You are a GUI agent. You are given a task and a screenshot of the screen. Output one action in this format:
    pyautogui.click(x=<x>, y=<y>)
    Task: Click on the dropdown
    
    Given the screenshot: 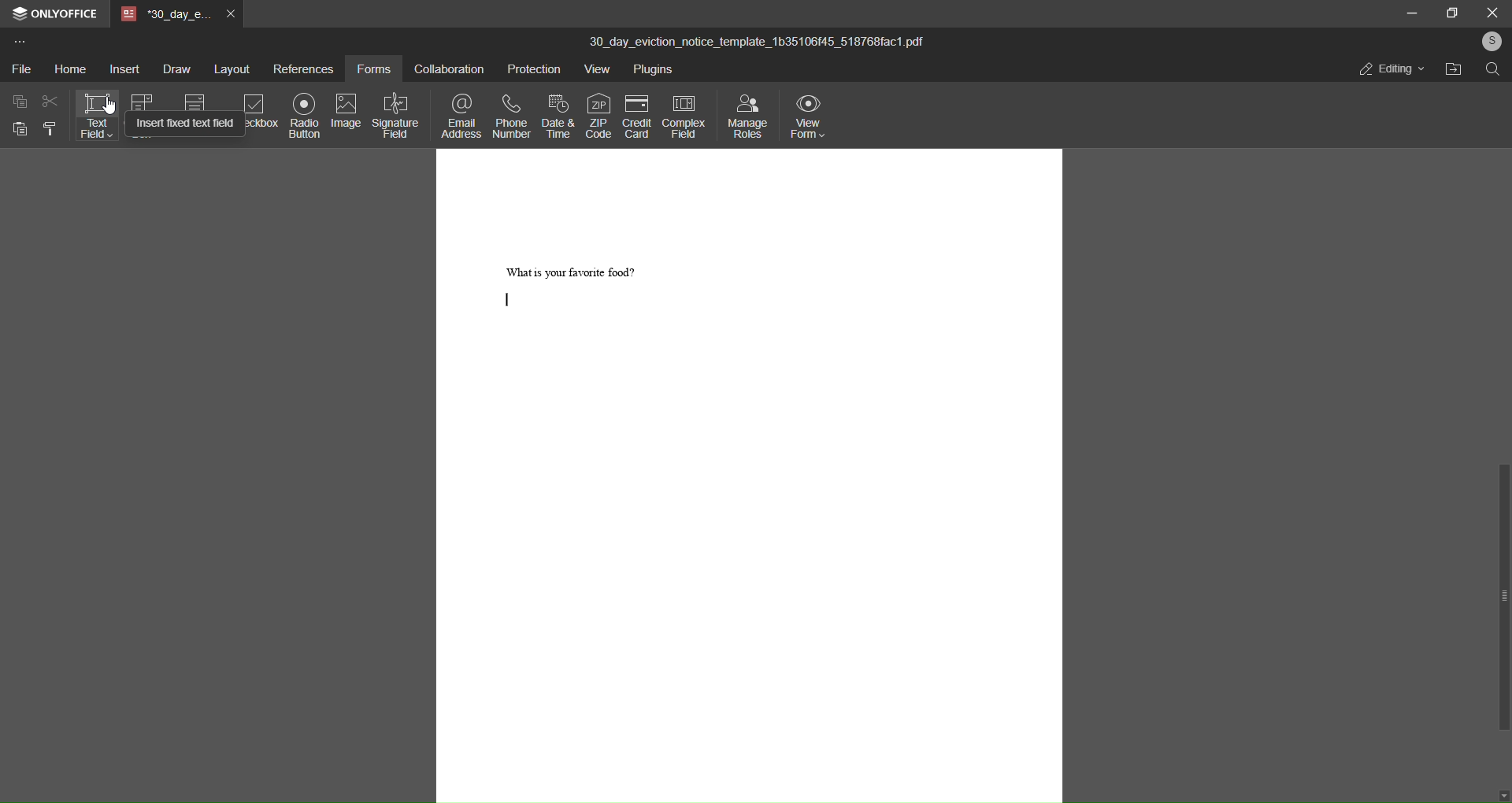 What is the action you would take?
    pyautogui.click(x=193, y=103)
    